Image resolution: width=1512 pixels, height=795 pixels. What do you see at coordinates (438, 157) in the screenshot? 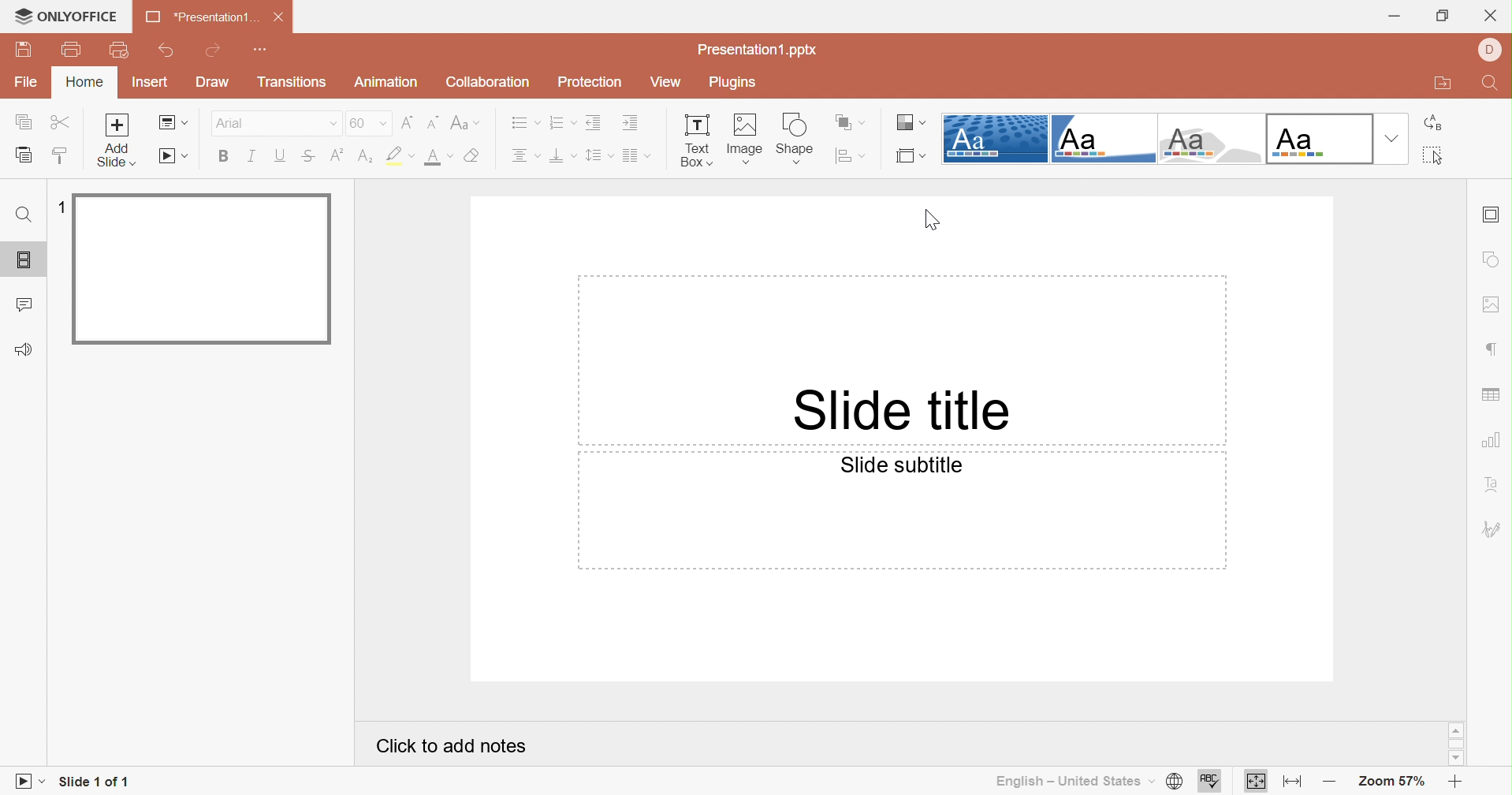
I see `Font color` at bounding box center [438, 157].